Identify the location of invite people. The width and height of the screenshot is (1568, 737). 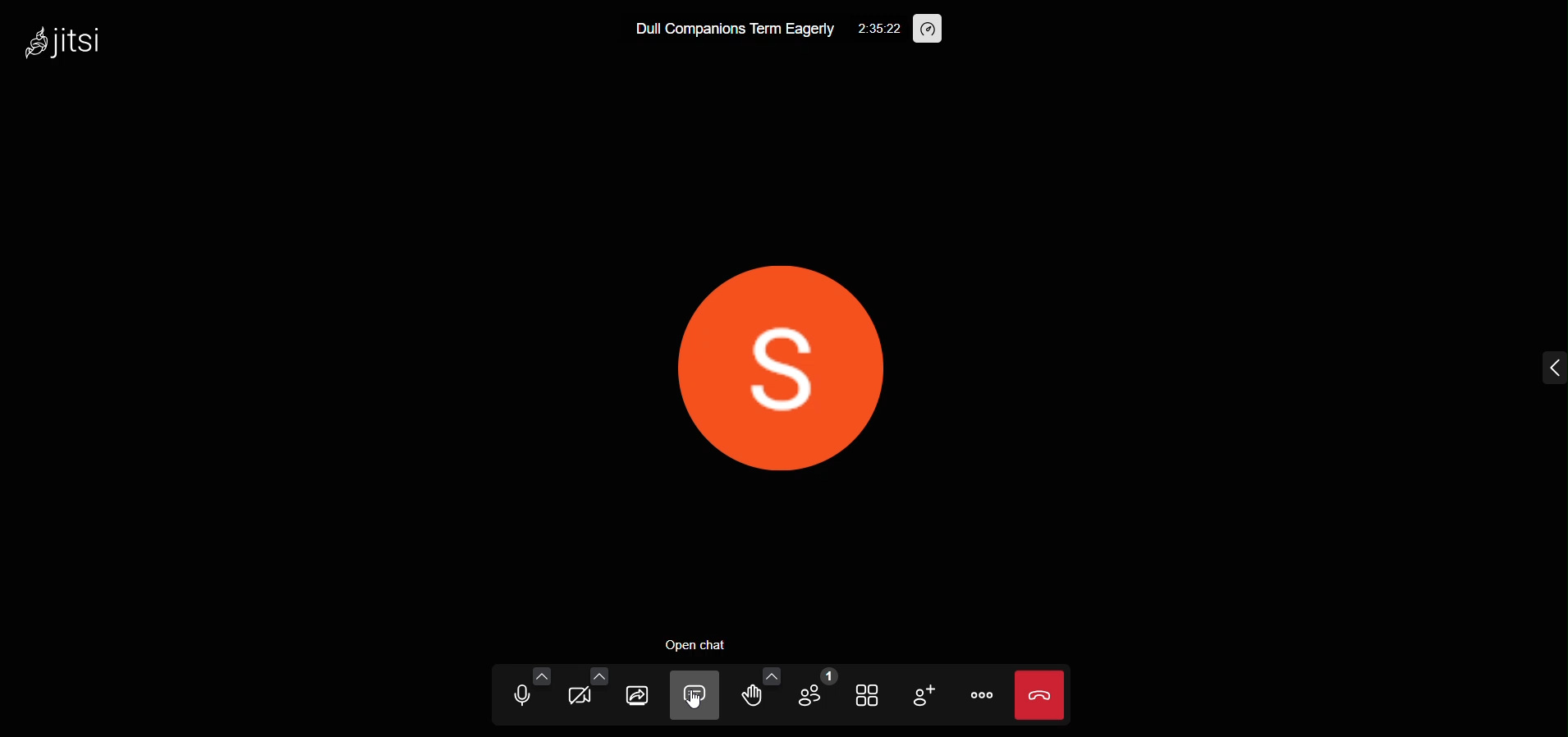
(921, 694).